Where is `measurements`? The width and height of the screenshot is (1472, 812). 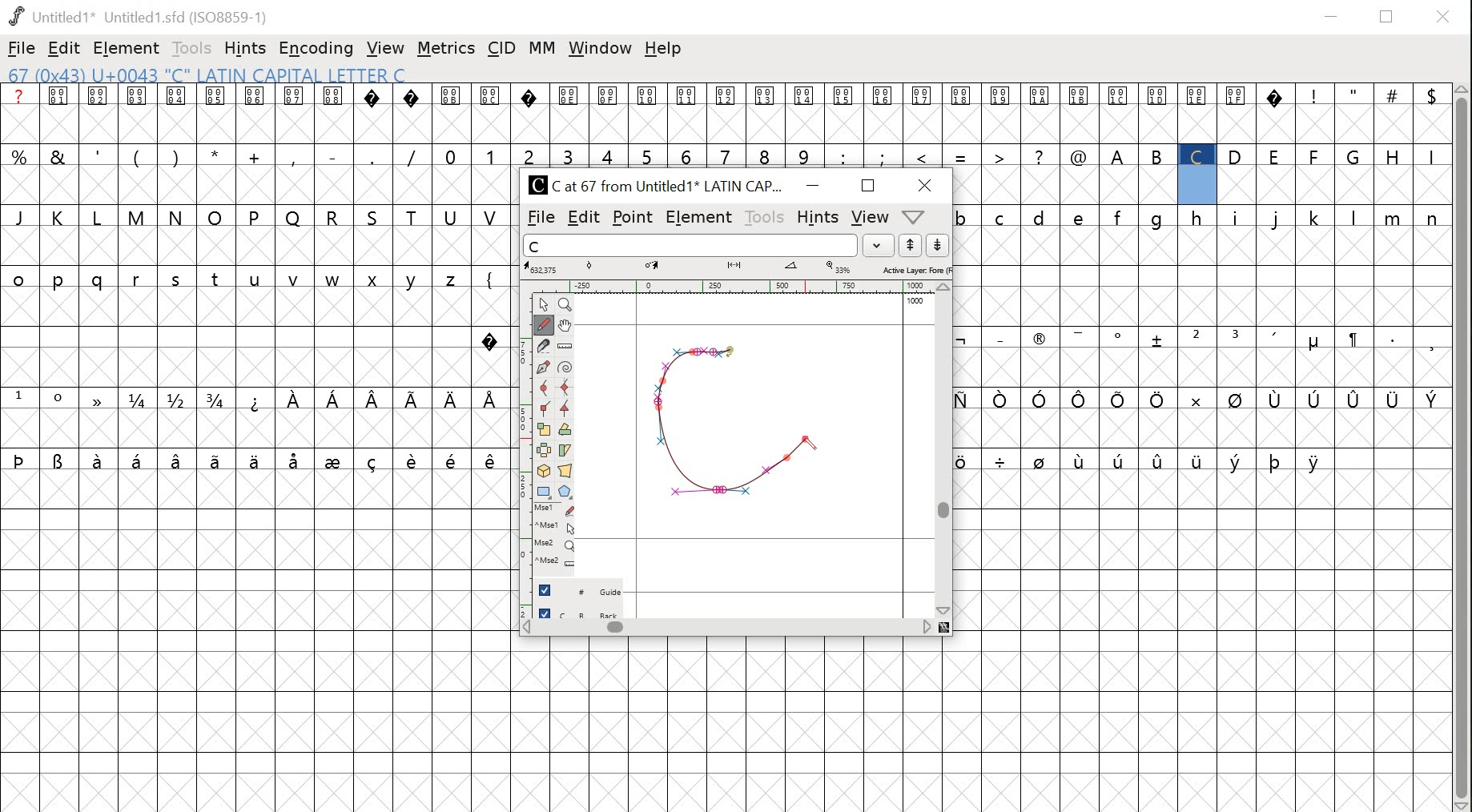
measurements is located at coordinates (740, 267).